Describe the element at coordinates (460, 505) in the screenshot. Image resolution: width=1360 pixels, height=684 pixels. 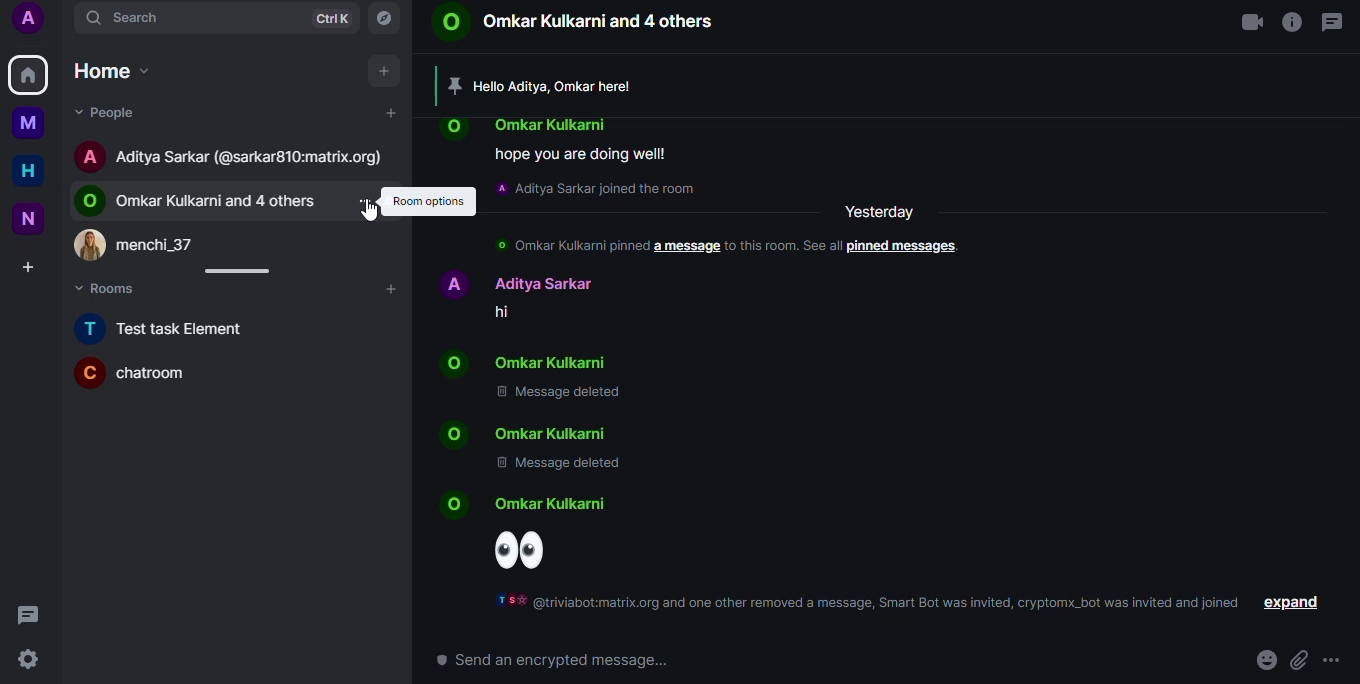
I see `o` at that location.